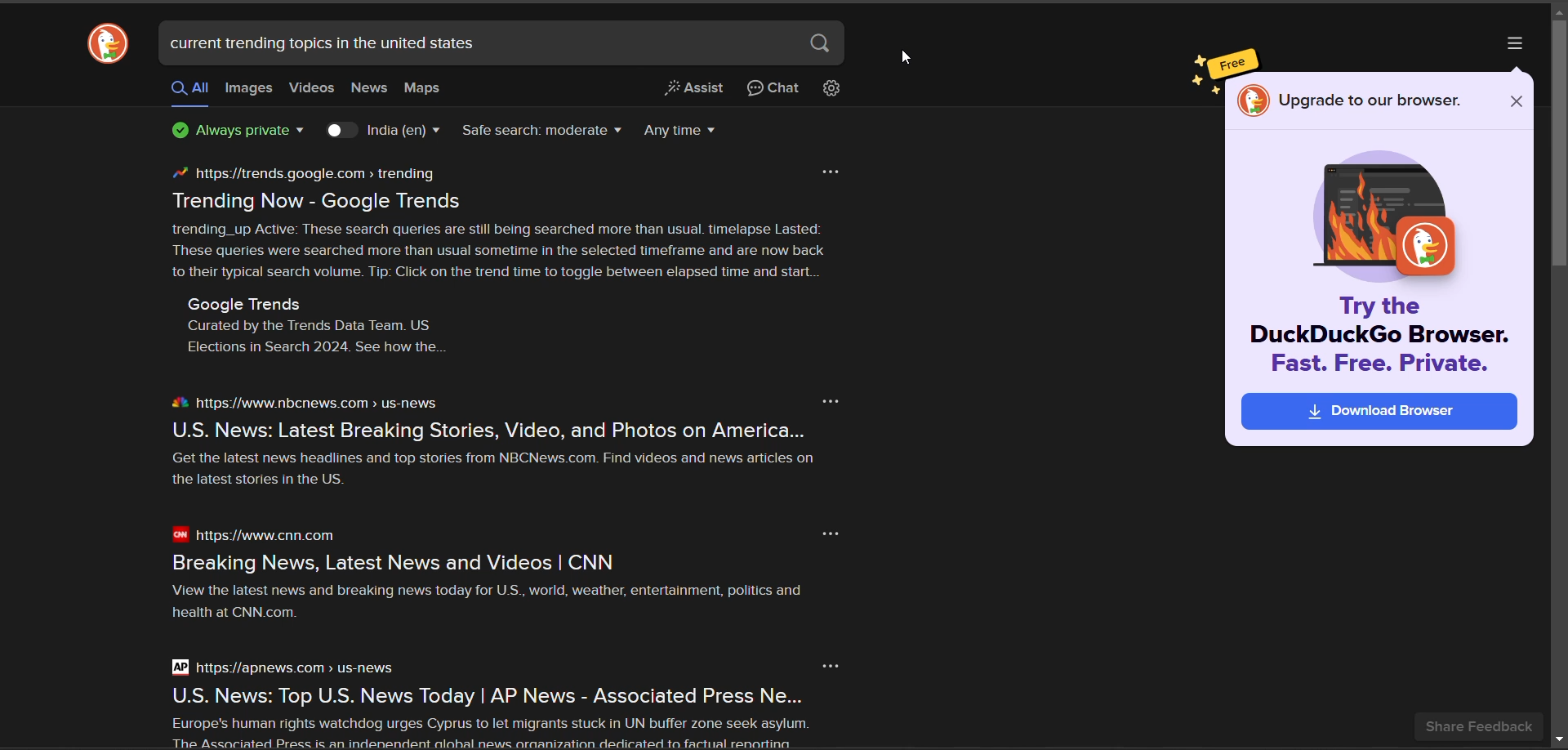 This screenshot has height=750, width=1568. I want to click on Try the DuckDuckGo Browser. Fast. Free. Private., so click(1376, 337).